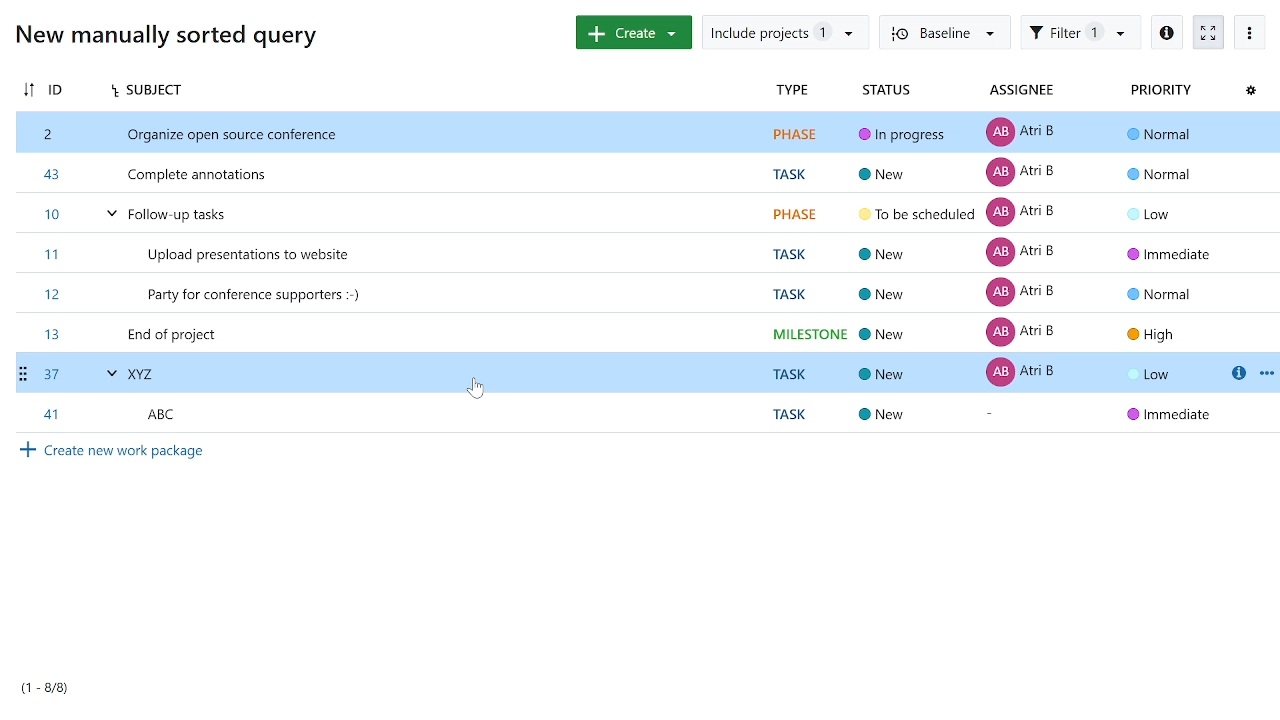 This screenshot has width=1280, height=720. What do you see at coordinates (1159, 91) in the screenshot?
I see `priority` at bounding box center [1159, 91].